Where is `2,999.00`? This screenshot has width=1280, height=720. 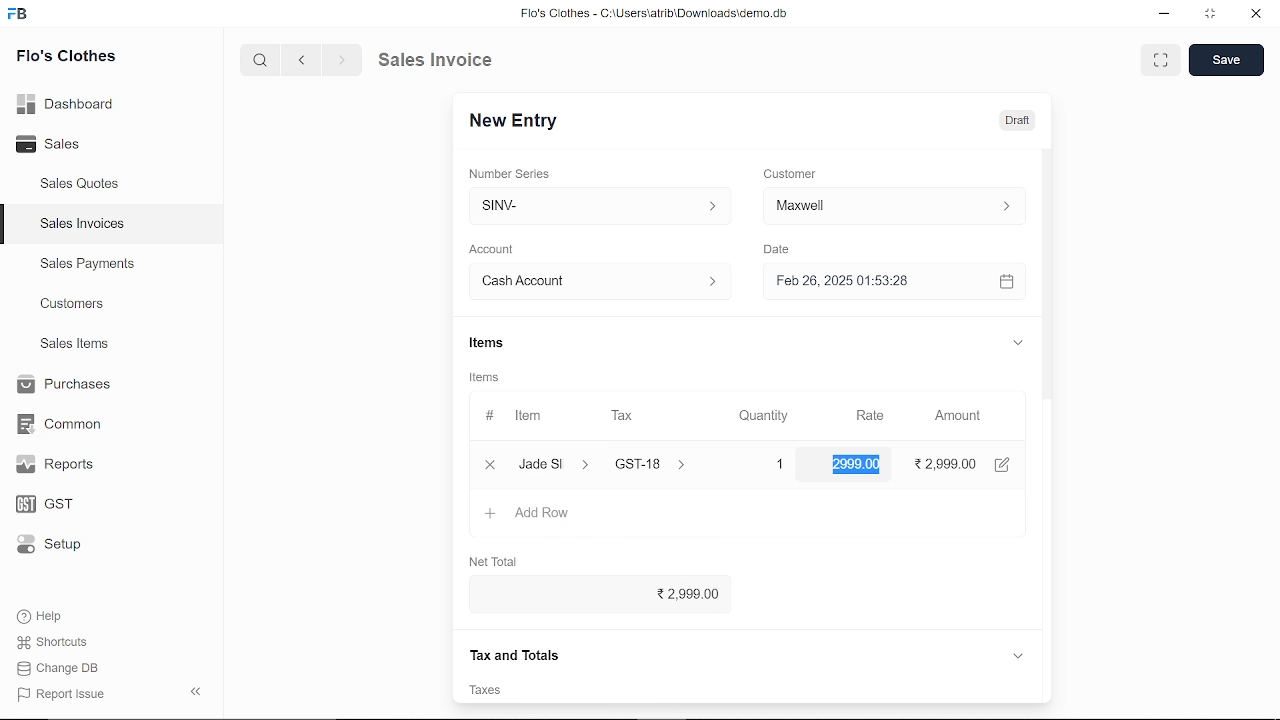
2,999.00 is located at coordinates (857, 464).